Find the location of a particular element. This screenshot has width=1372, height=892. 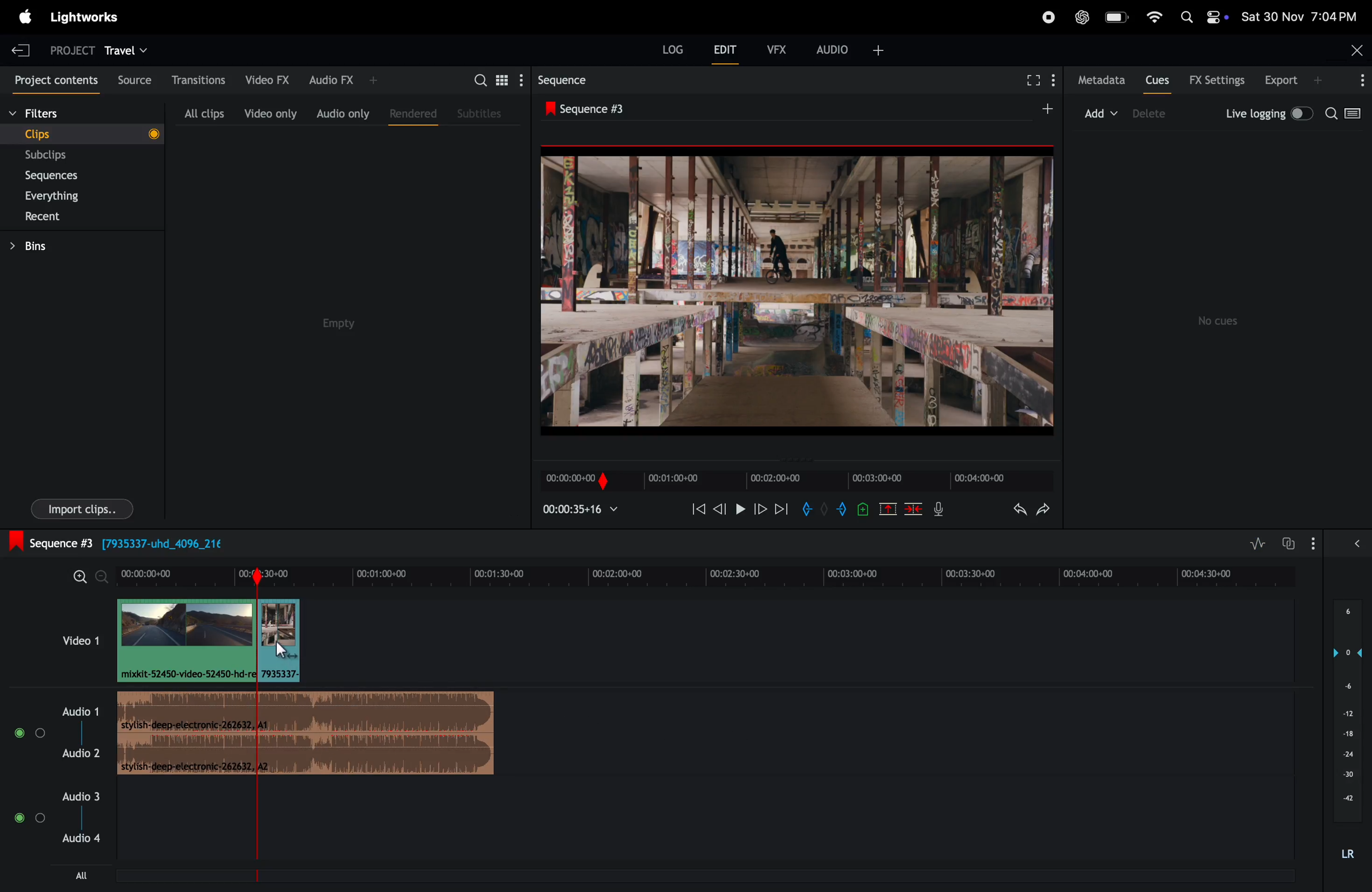

add is located at coordinates (1041, 109).